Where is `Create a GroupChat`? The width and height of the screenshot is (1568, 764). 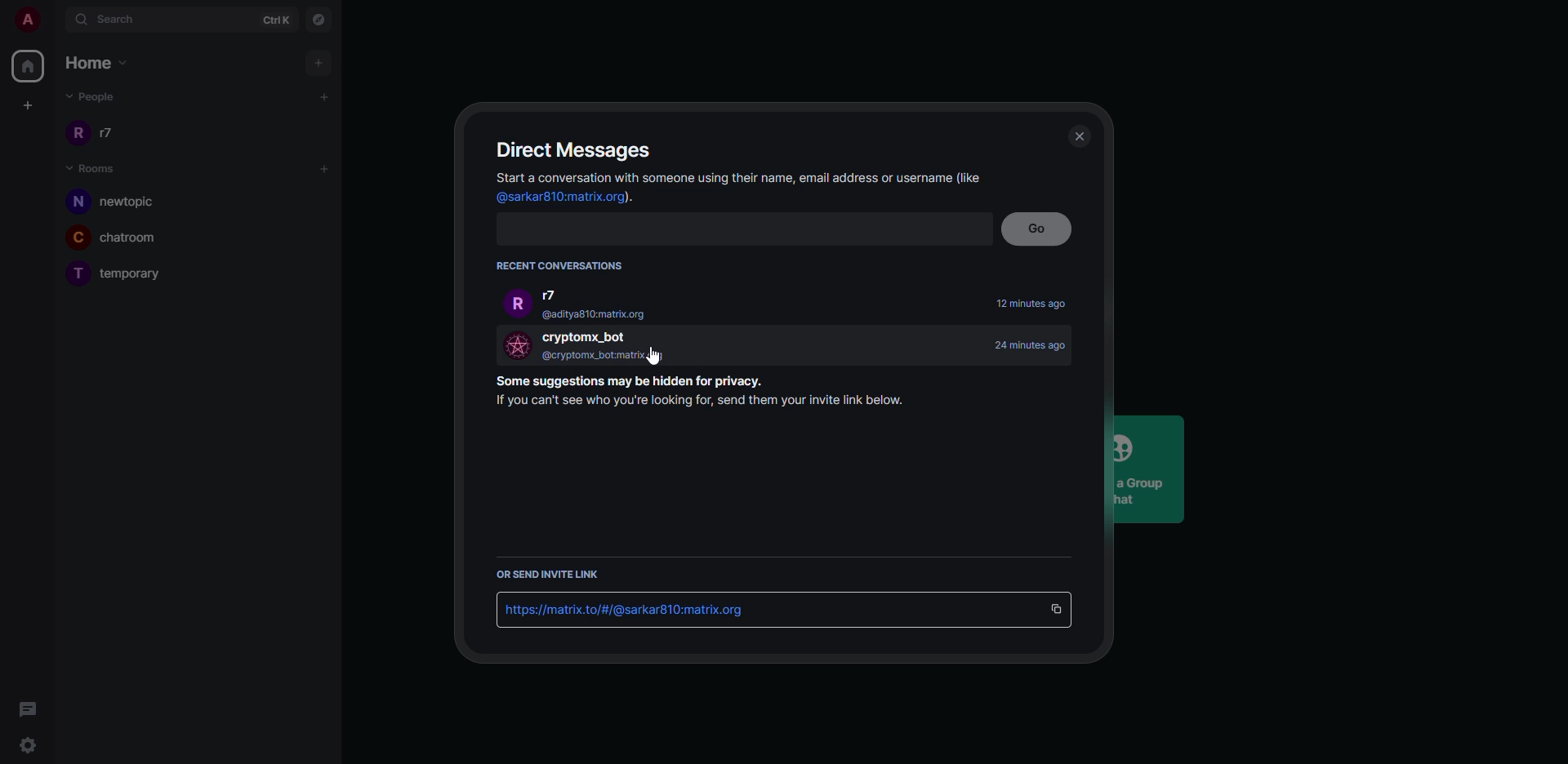
Create a GroupChat is located at coordinates (1145, 467).